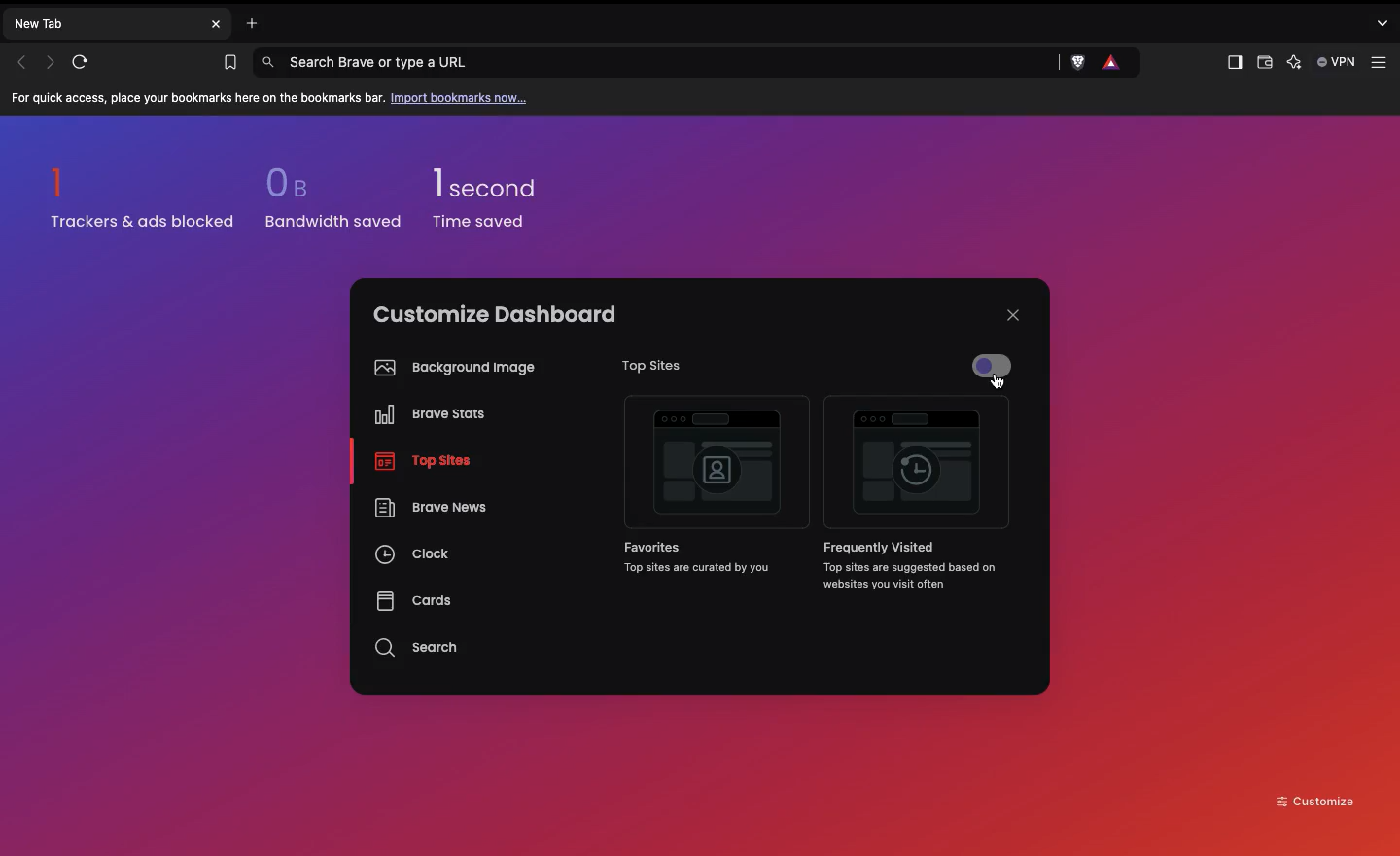 The width and height of the screenshot is (1400, 856). Describe the element at coordinates (919, 465) in the screenshot. I see `Frequently visited` at that location.